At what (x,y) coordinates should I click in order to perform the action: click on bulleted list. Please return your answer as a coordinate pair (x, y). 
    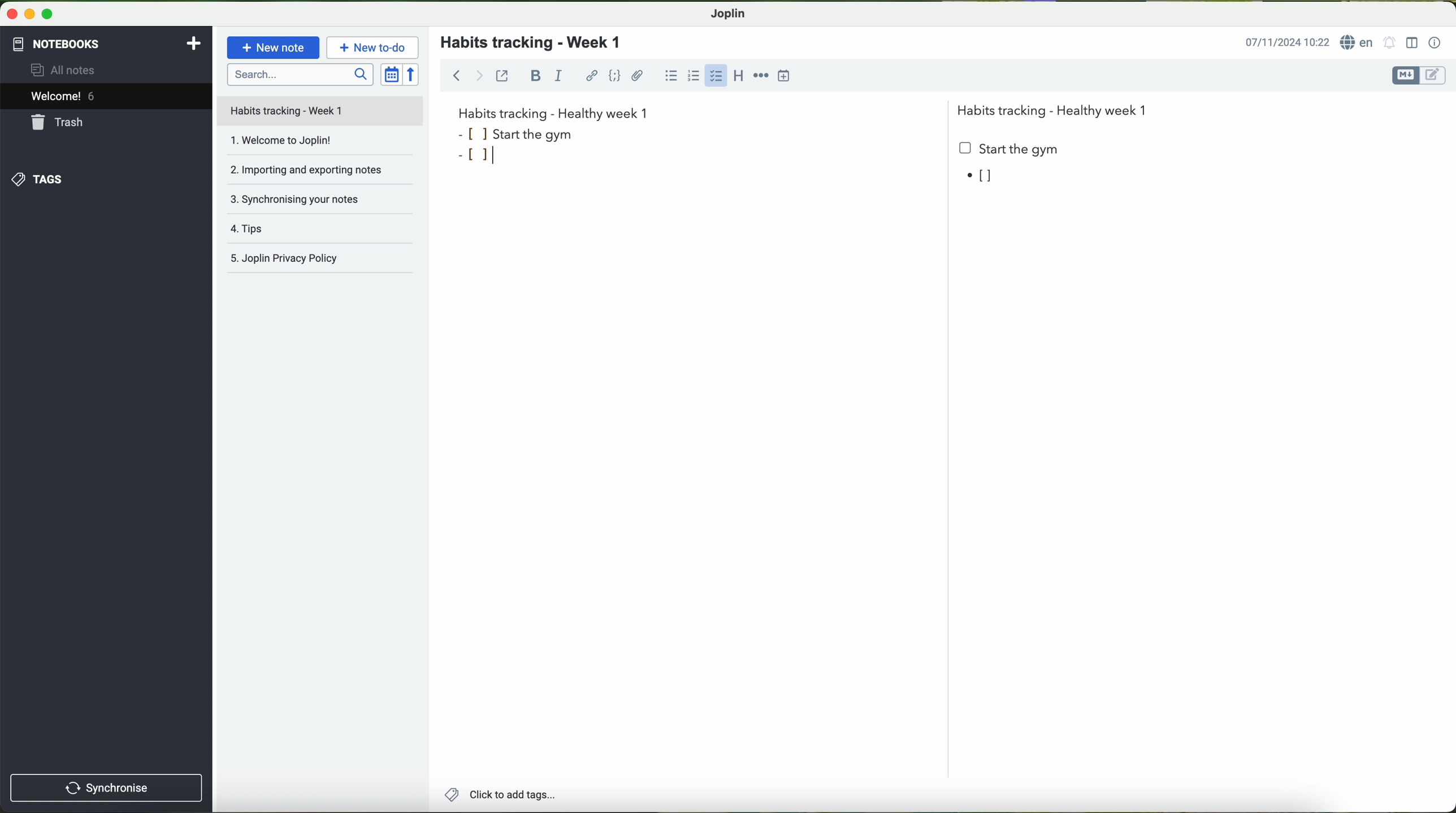
    Looking at the image, I should click on (671, 75).